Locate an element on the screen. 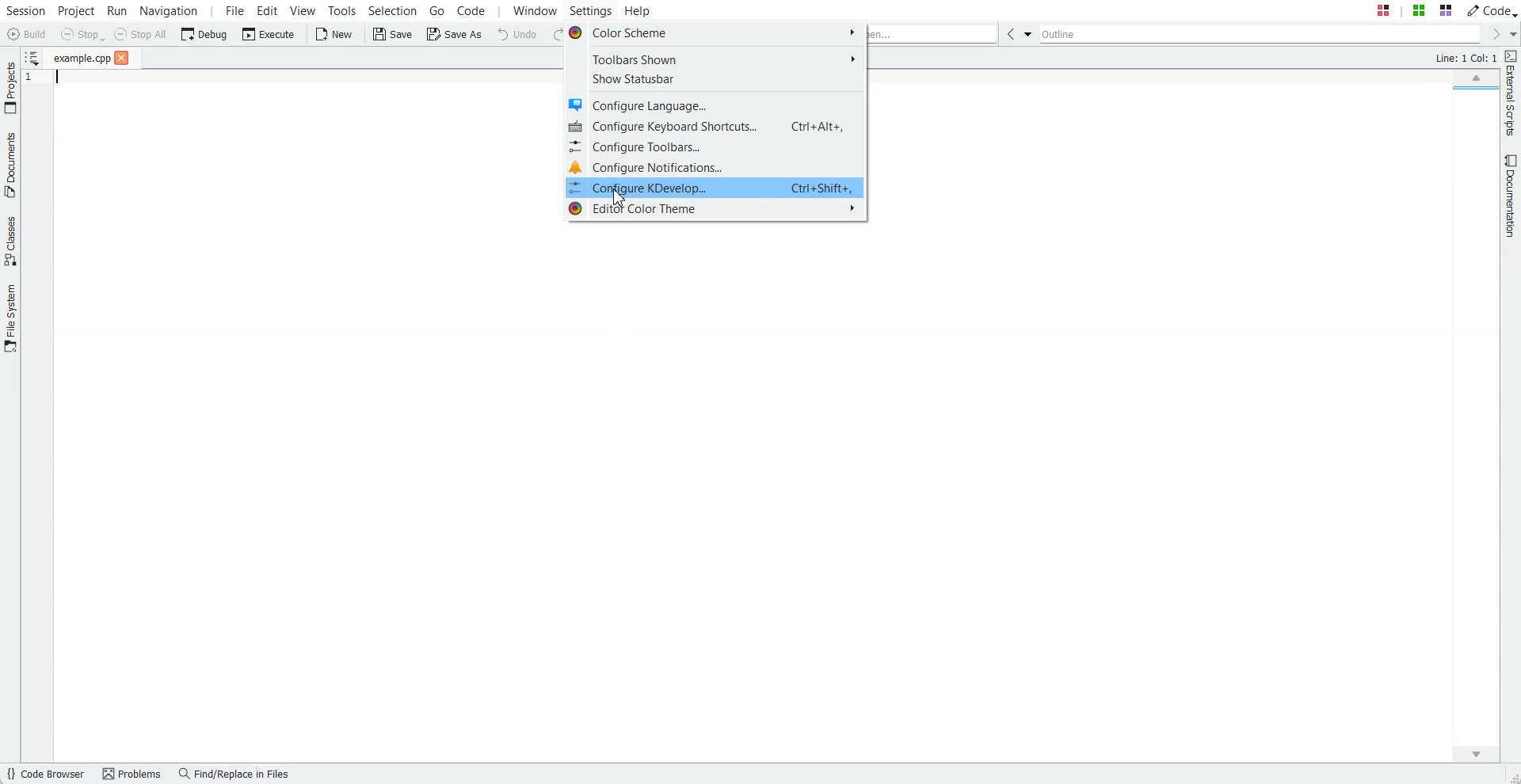 The width and height of the screenshot is (1521, 784). Documentation is located at coordinates (1511, 196).